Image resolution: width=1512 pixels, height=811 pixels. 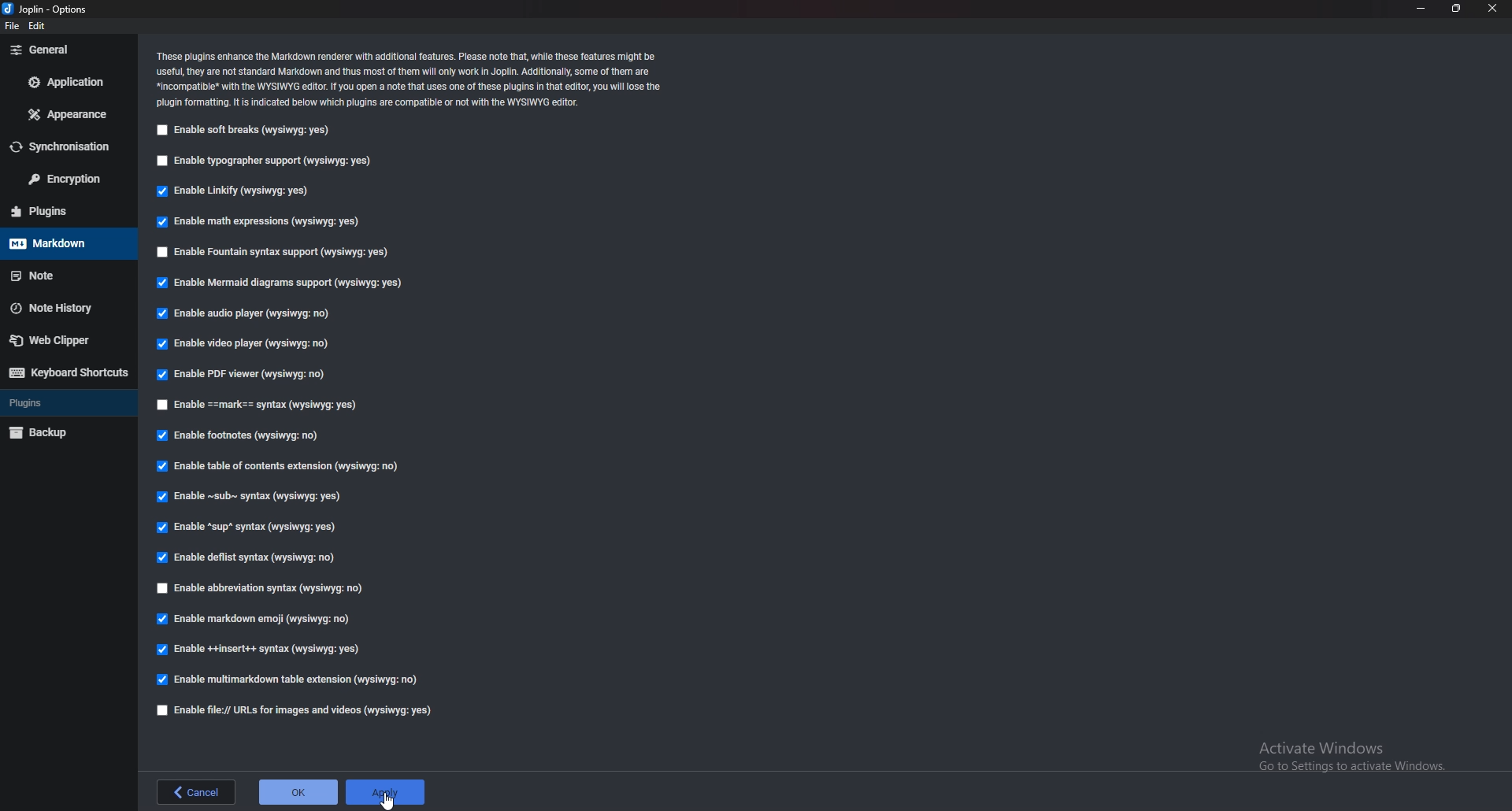 I want to click on edit, so click(x=38, y=27).